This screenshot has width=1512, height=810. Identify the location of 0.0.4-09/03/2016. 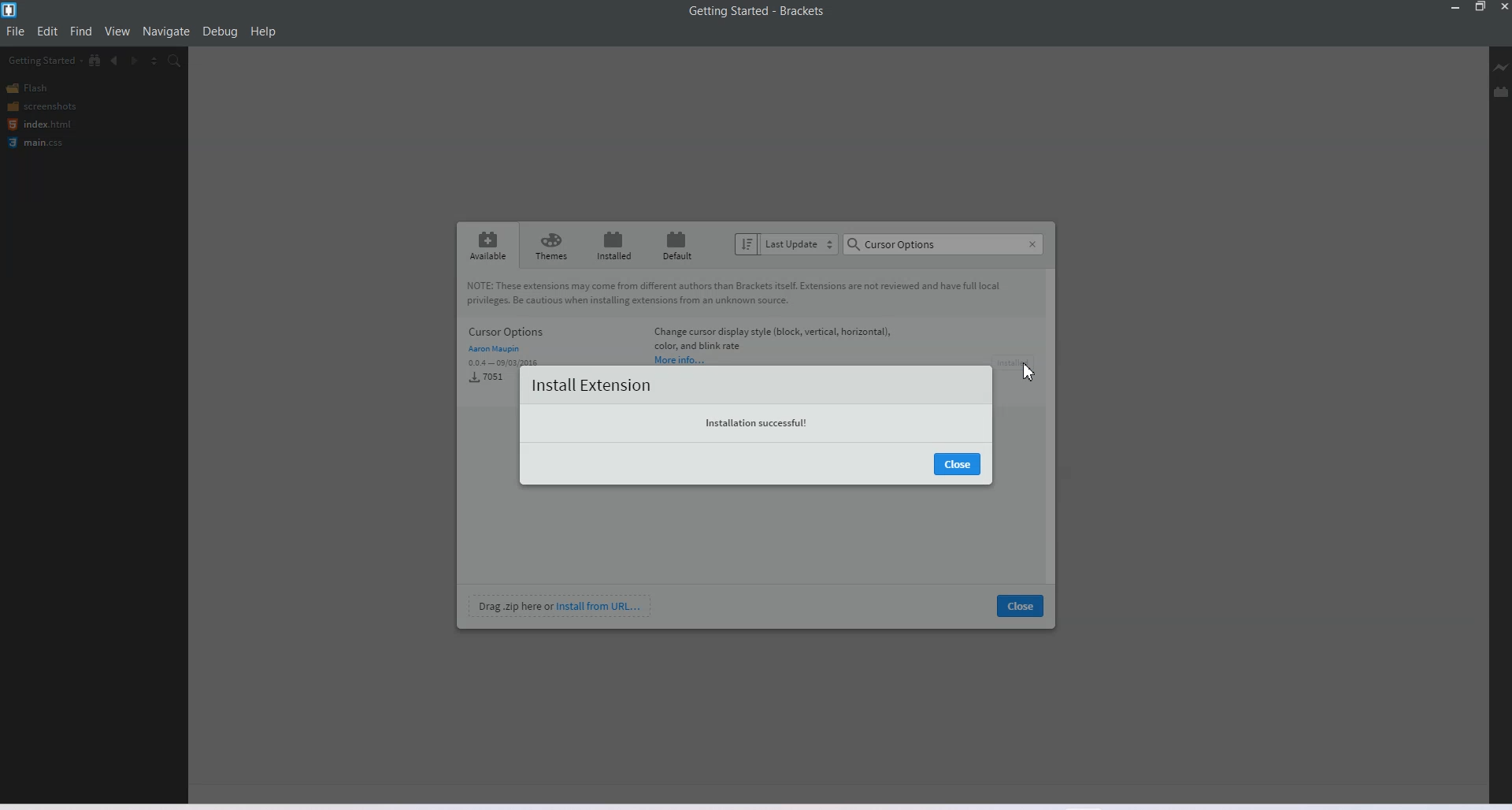
(489, 363).